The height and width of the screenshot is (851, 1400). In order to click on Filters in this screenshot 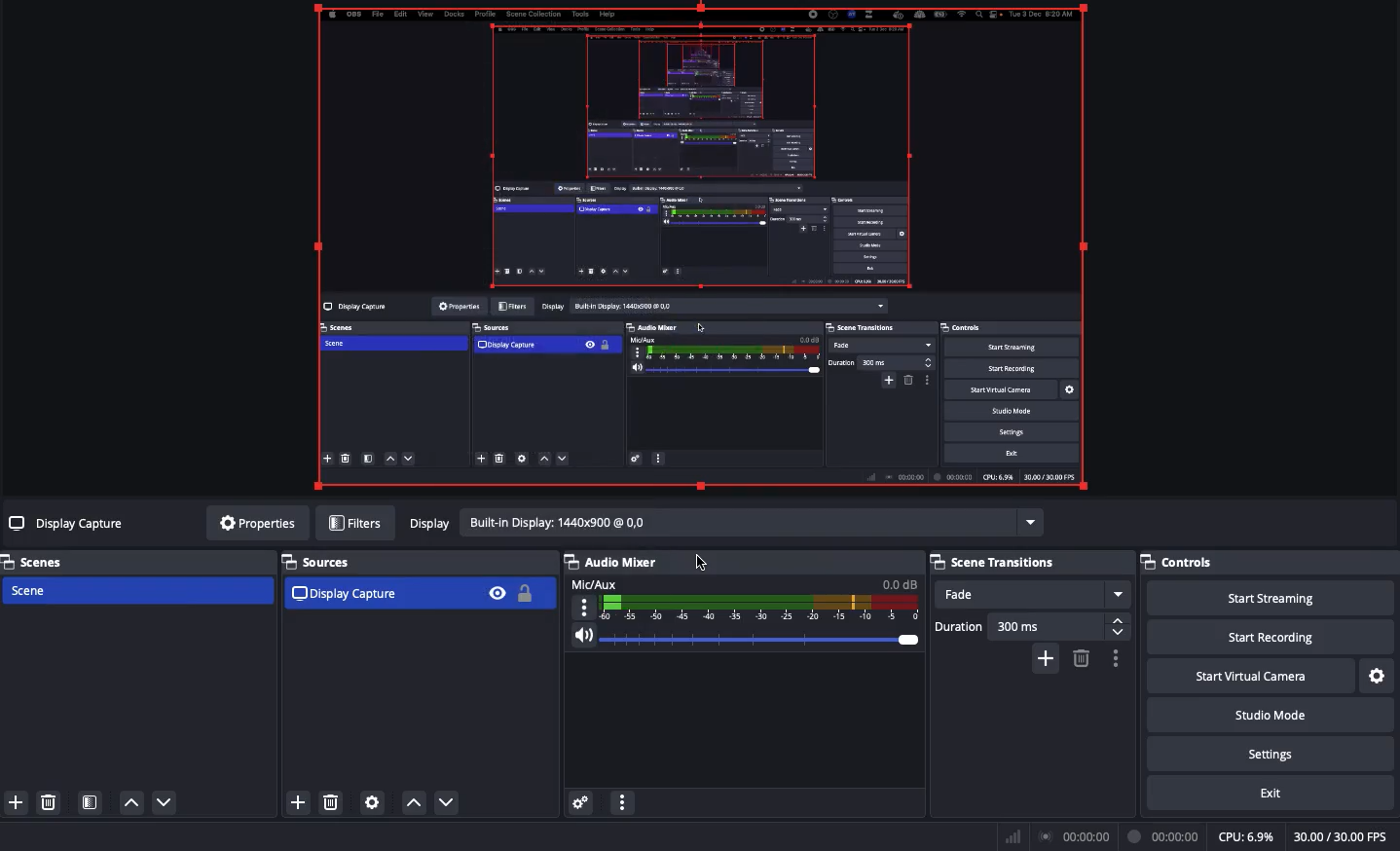, I will do `click(354, 522)`.